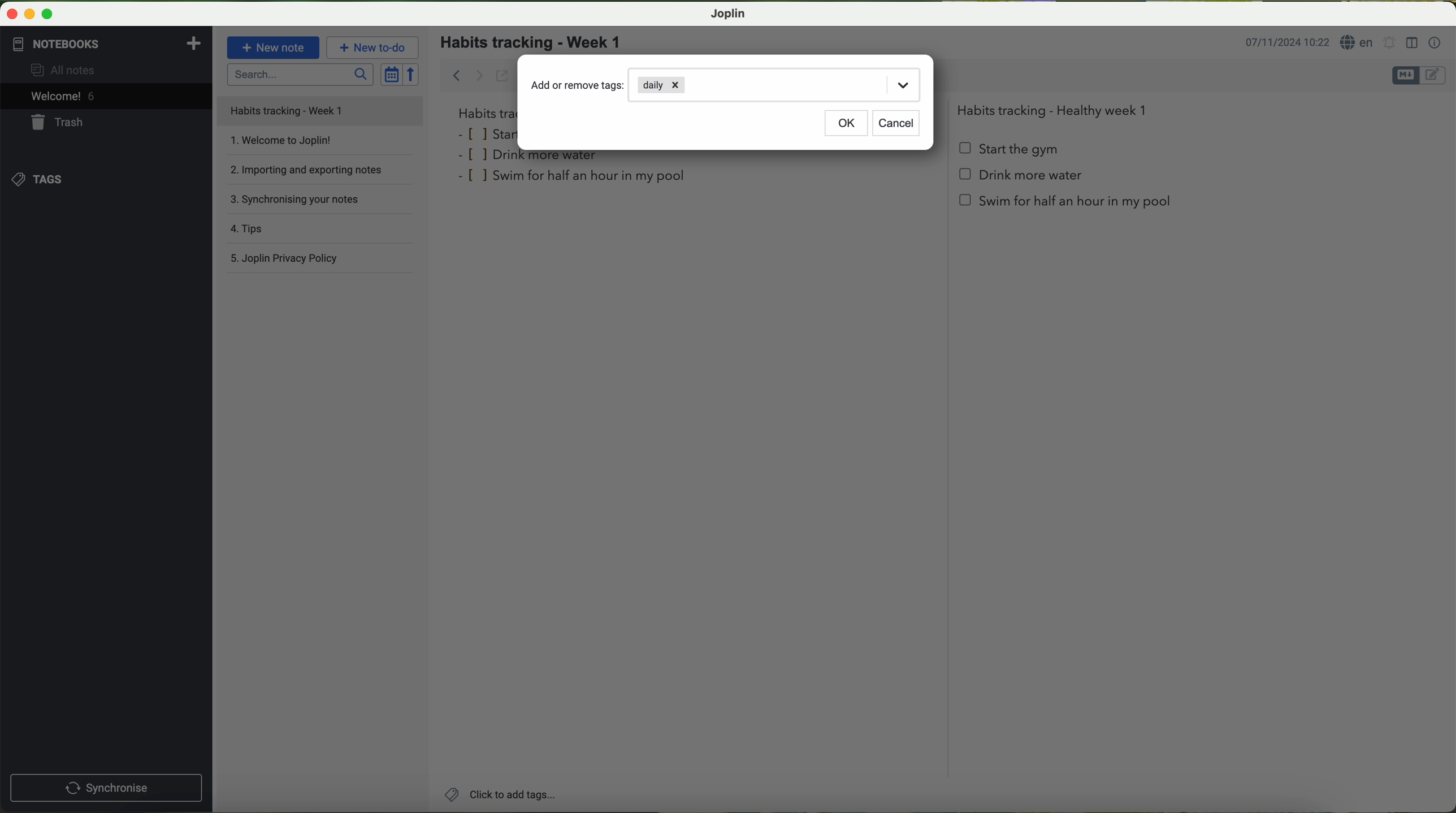  I want to click on maximize, so click(48, 14).